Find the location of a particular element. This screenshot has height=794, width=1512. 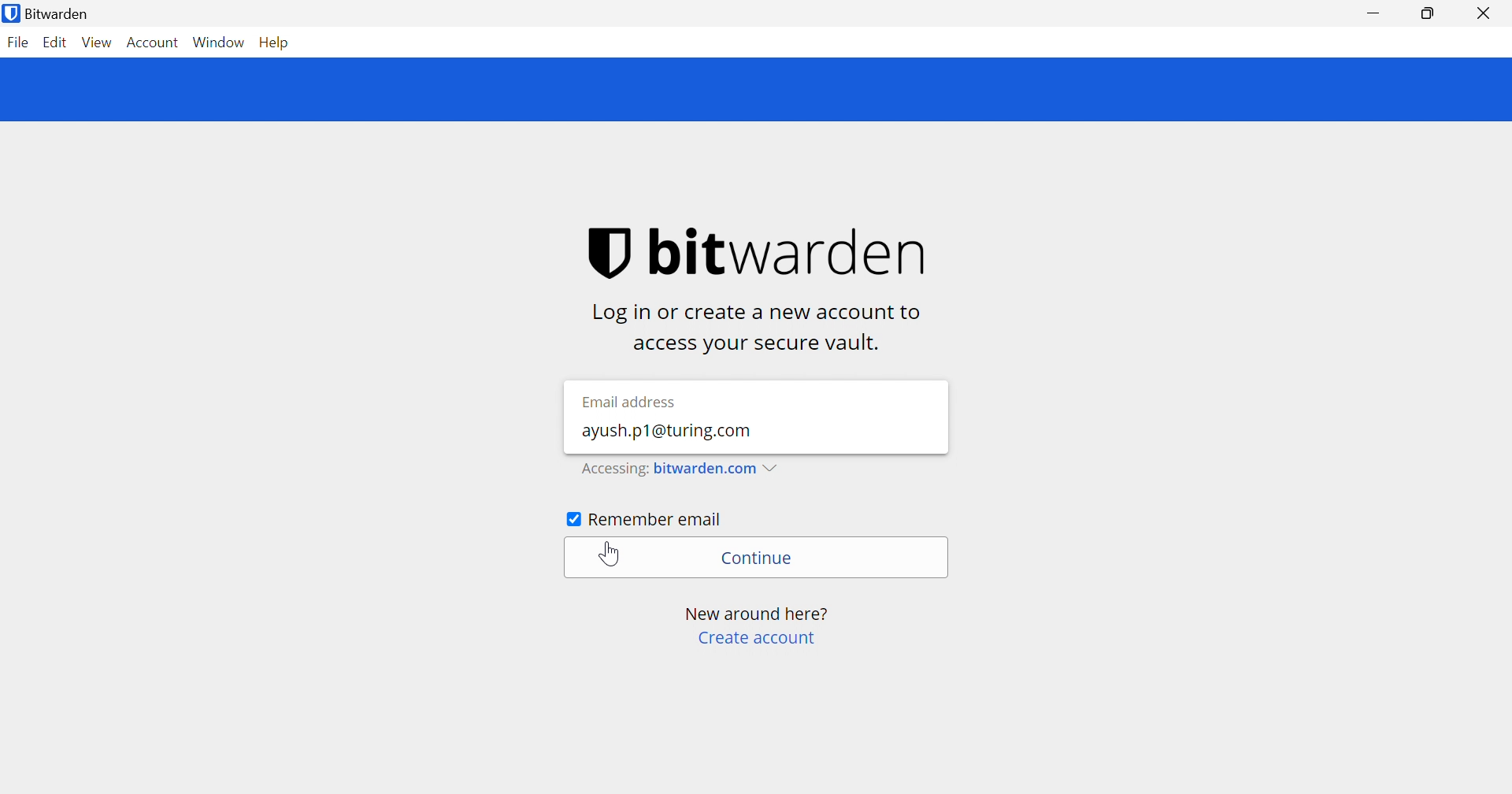

ayush.p1@turing.com is located at coordinates (665, 432).